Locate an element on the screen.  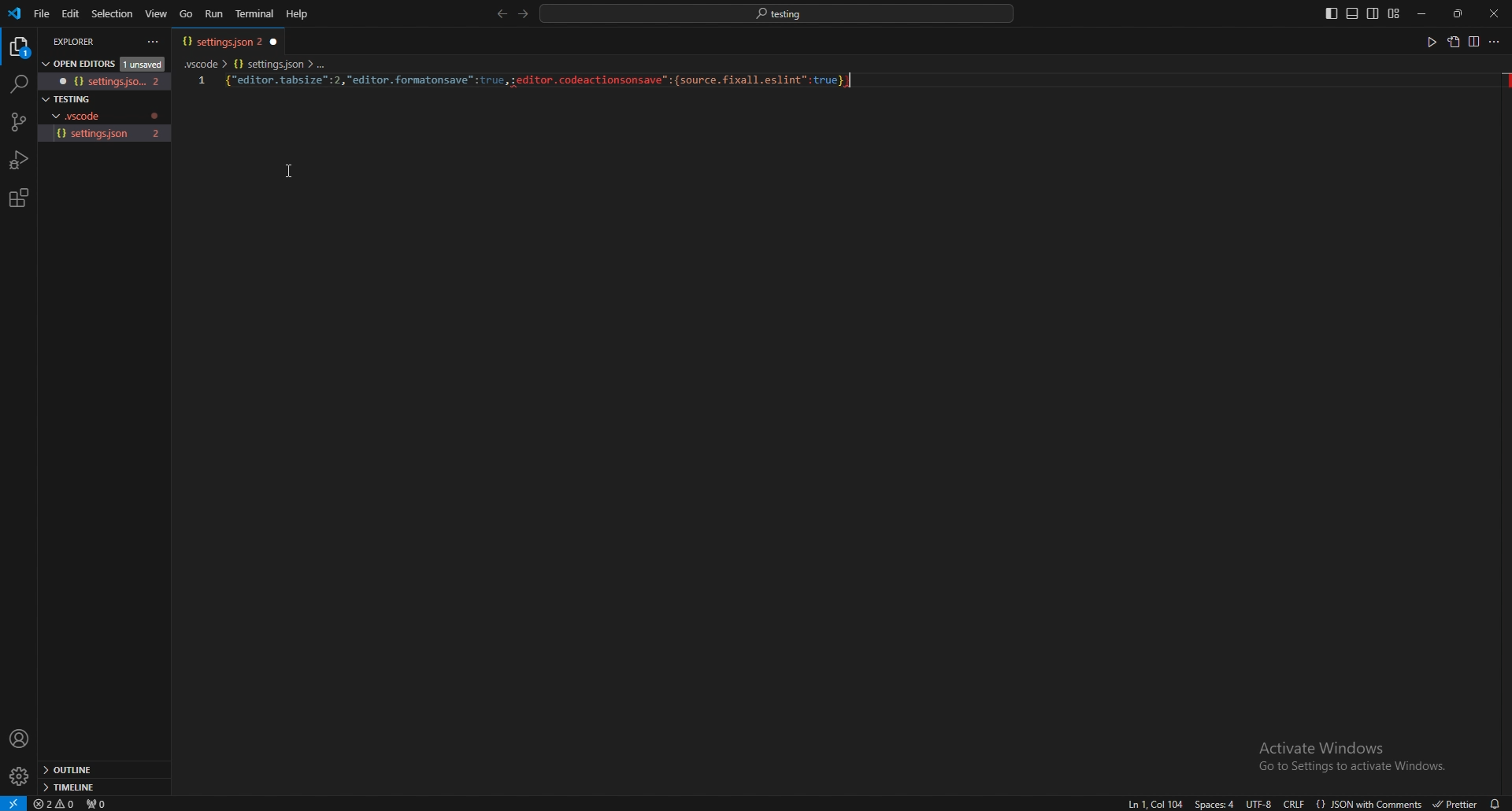
encoding is located at coordinates (1258, 804).